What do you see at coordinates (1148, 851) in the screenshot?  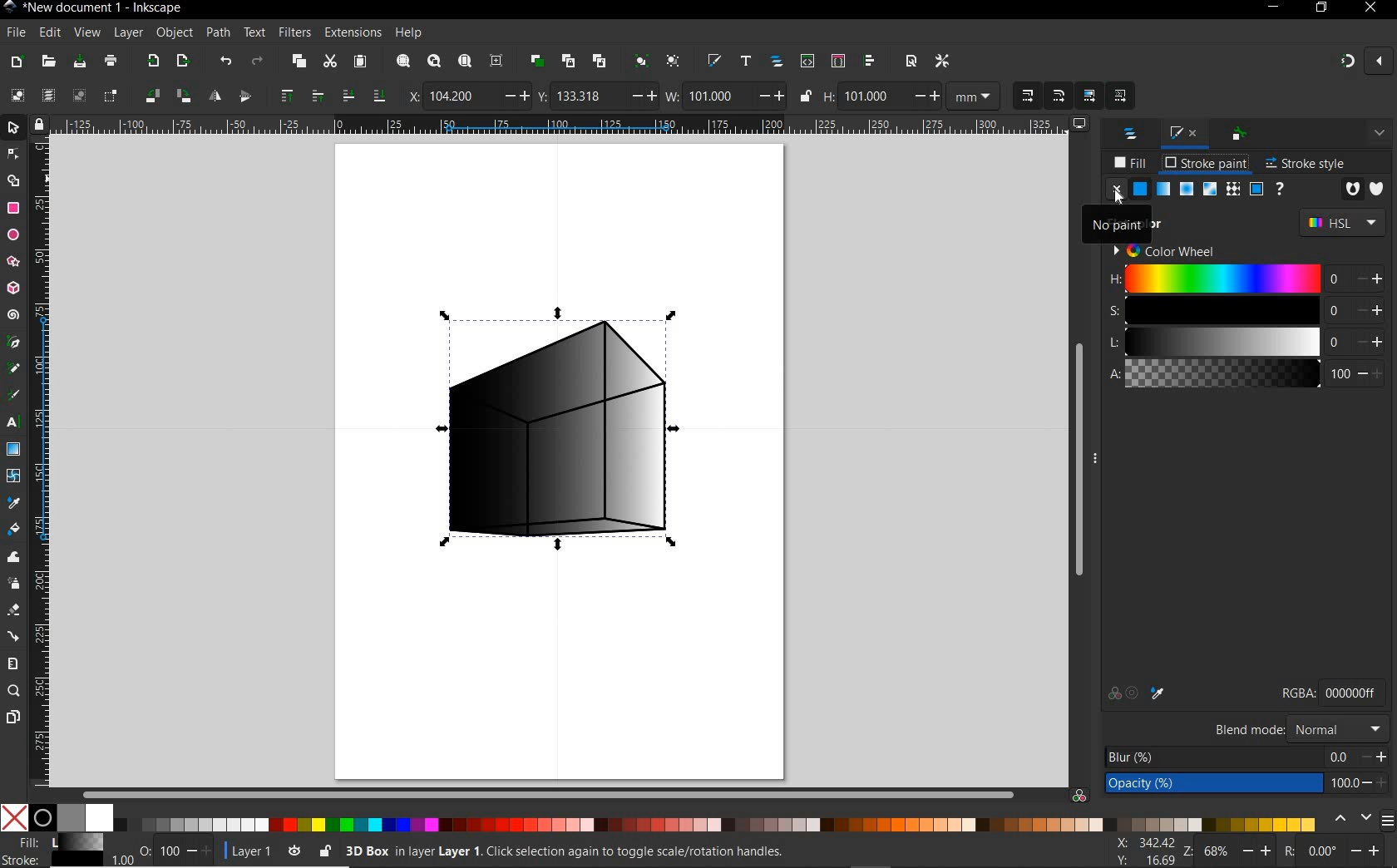 I see `CURSOR COORDINATES` at bounding box center [1148, 851].